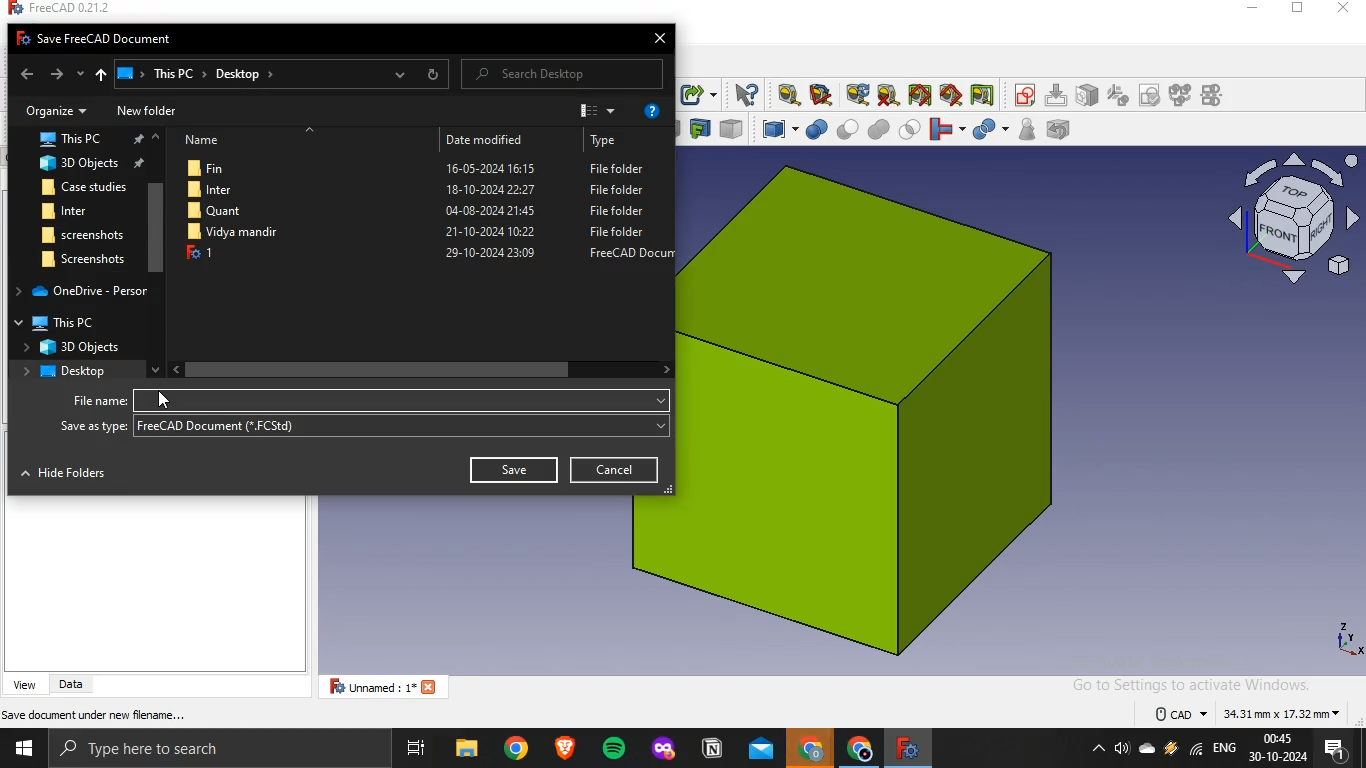 The width and height of the screenshot is (1366, 768). What do you see at coordinates (74, 165) in the screenshot?
I see `3d objects` at bounding box center [74, 165].